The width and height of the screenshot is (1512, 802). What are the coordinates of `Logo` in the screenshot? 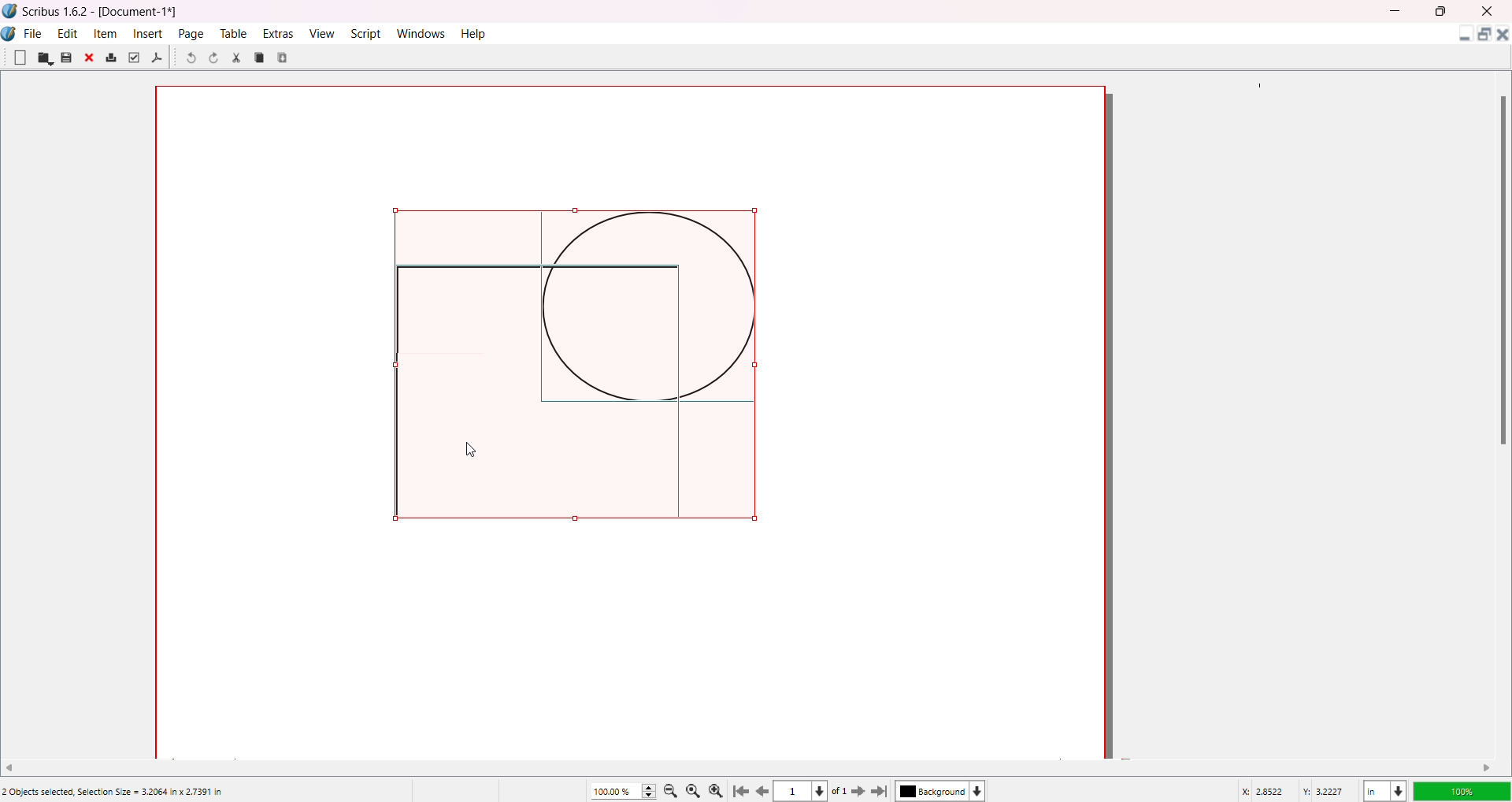 It's located at (11, 34).